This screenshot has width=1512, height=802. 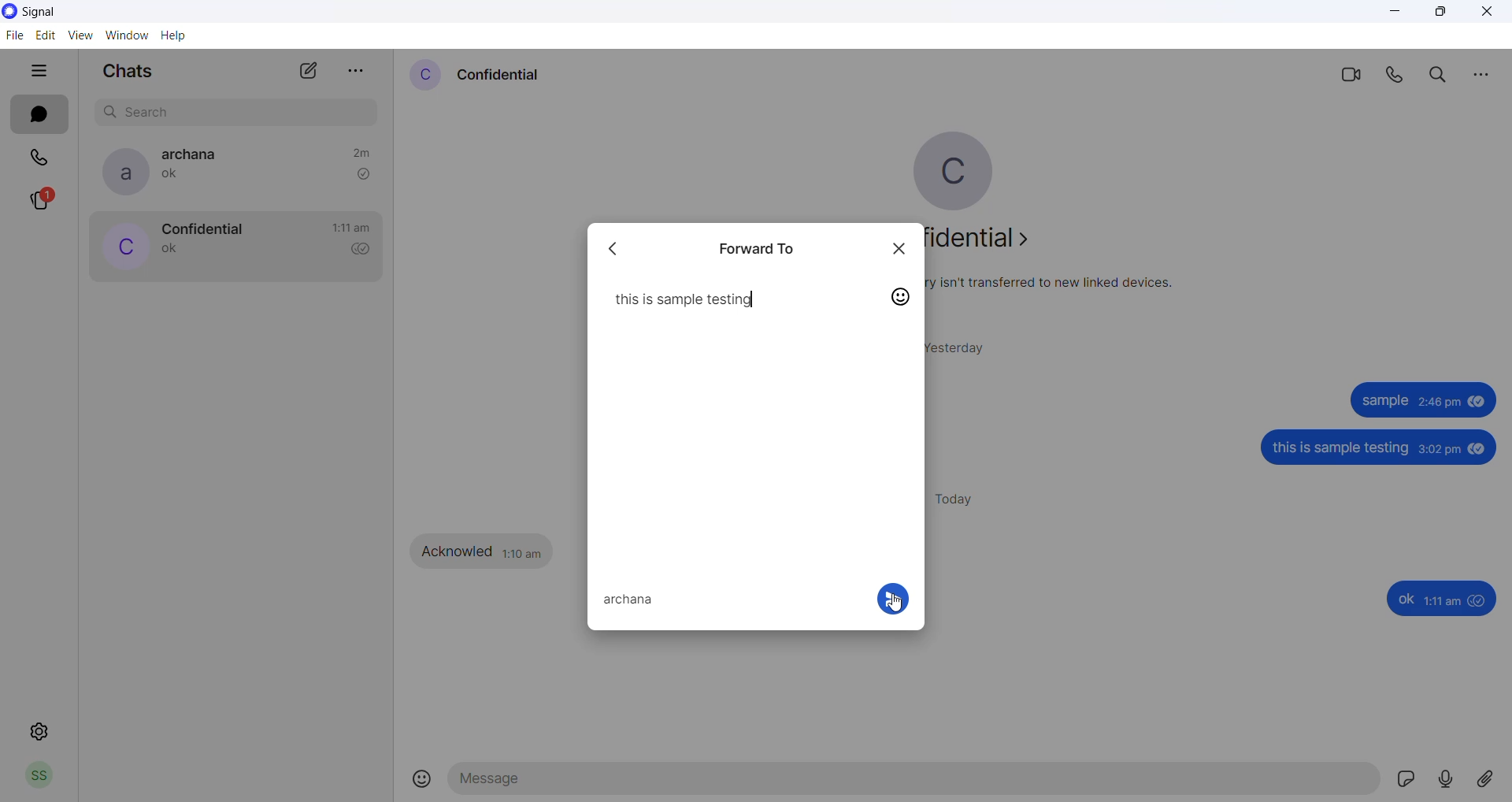 What do you see at coordinates (13, 37) in the screenshot?
I see `file` at bounding box center [13, 37].